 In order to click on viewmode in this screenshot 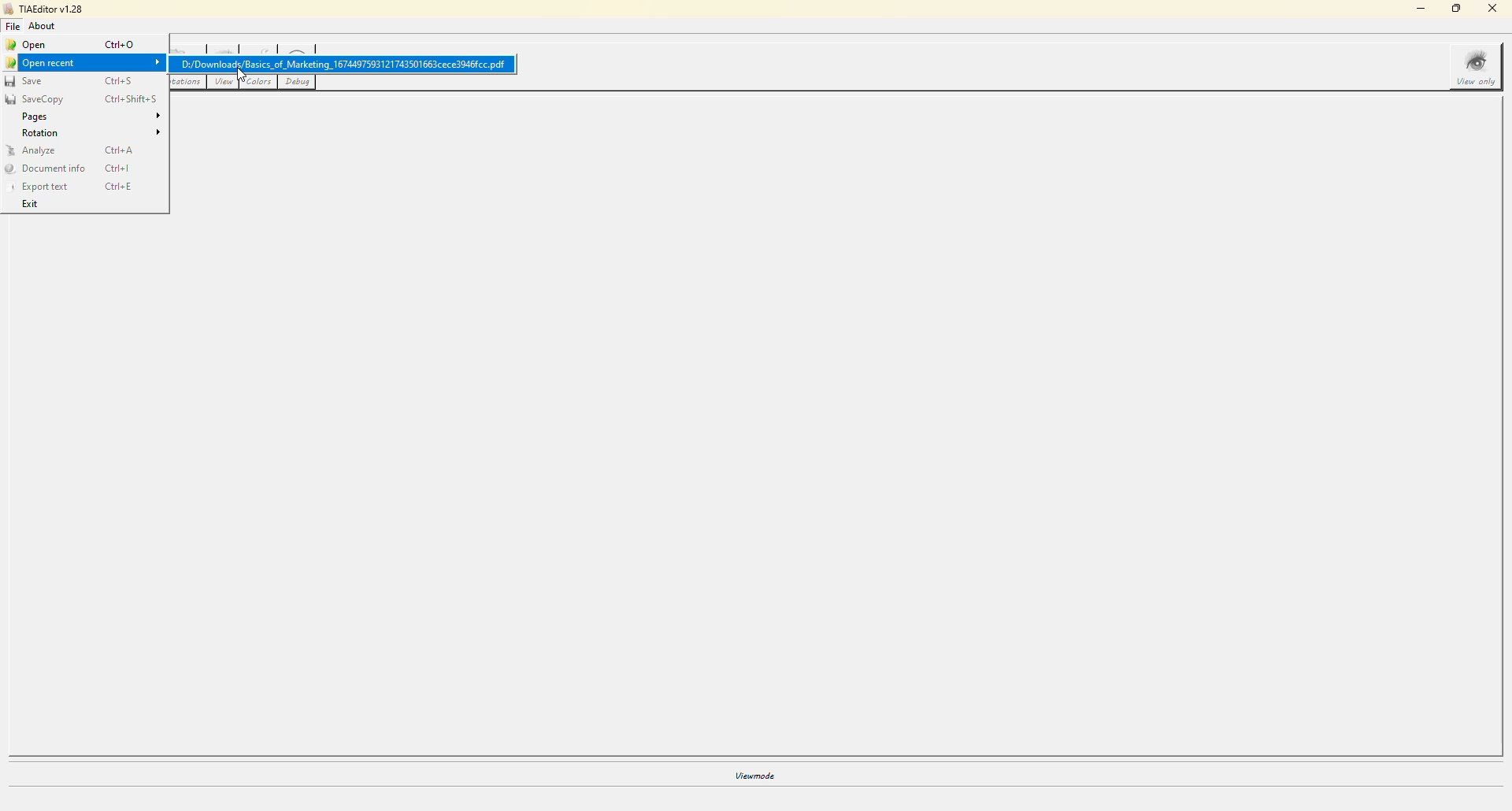, I will do `click(752, 780)`.